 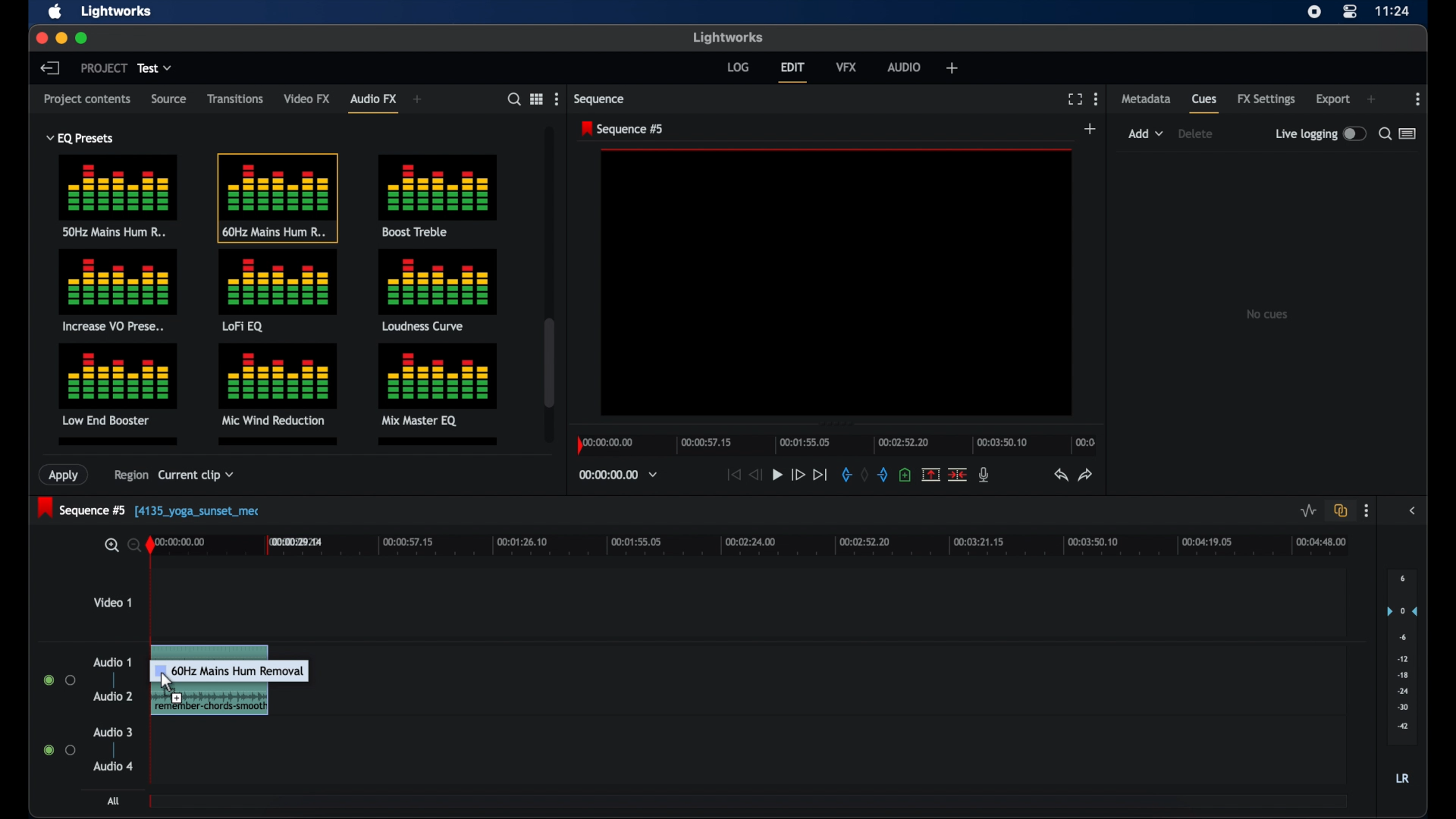 I want to click on 50hz, so click(x=118, y=199).